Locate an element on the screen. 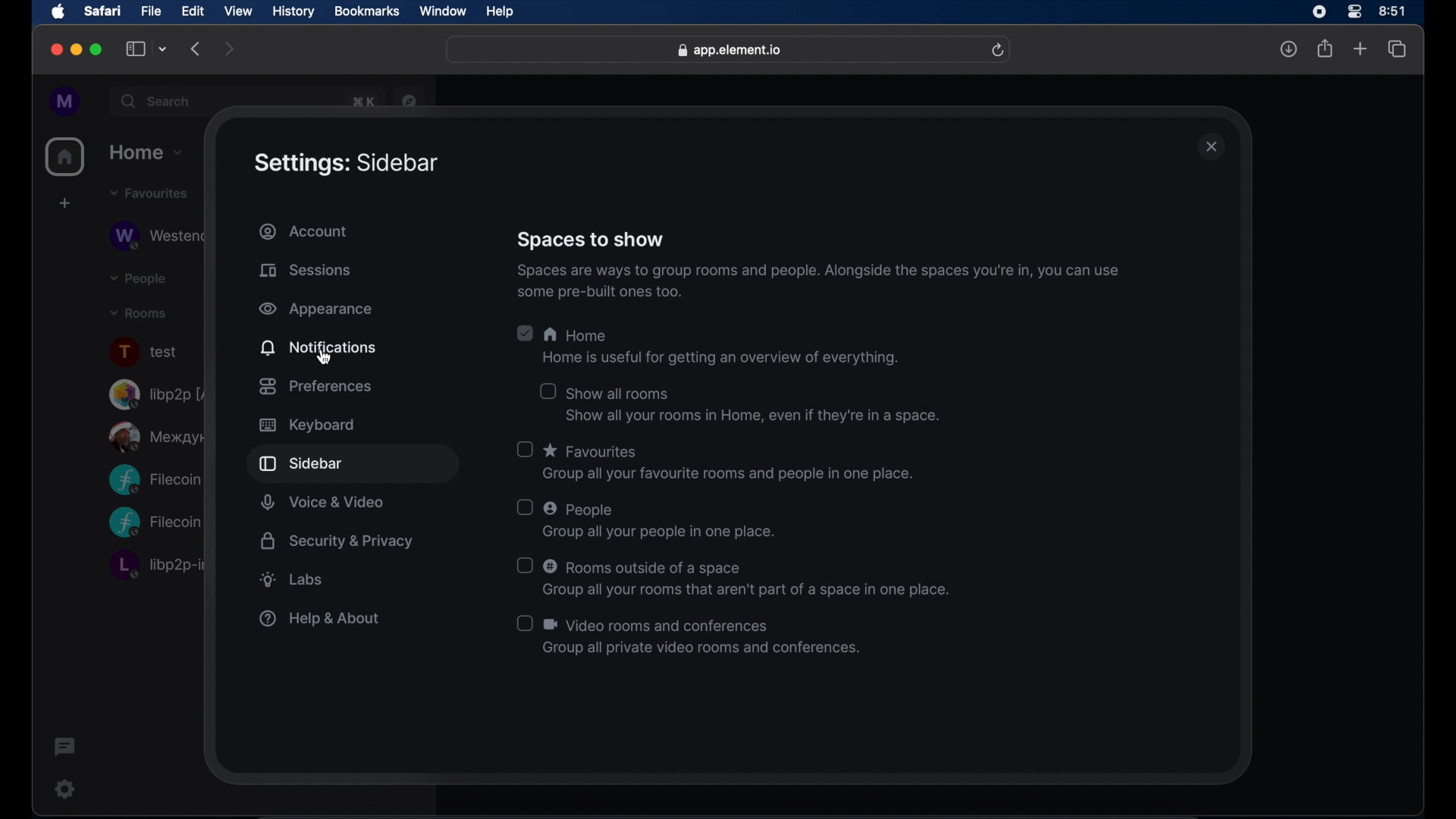  downloads is located at coordinates (1285, 49).